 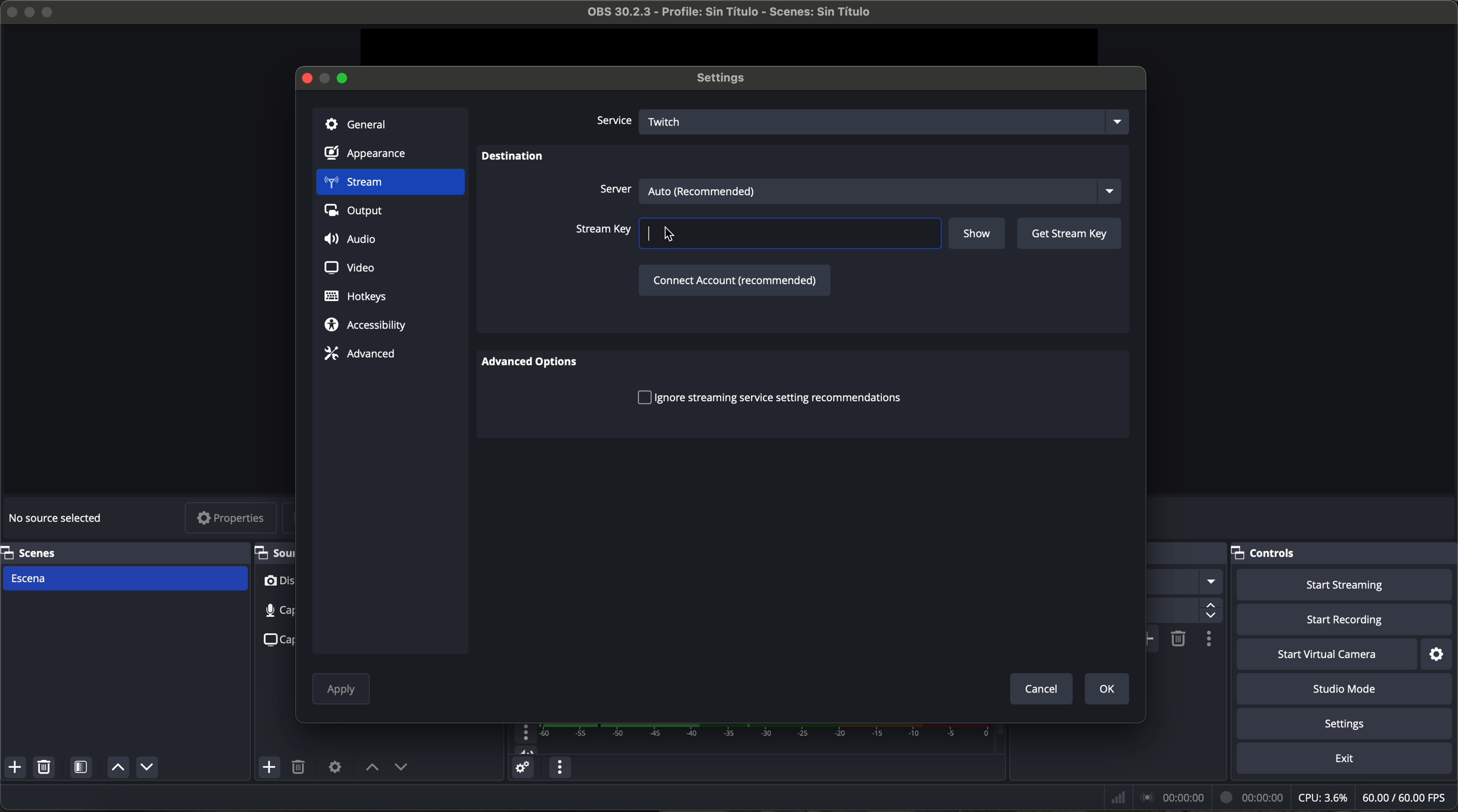 What do you see at coordinates (83, 769) in the screenshot?
I see `open scene filters` at bounding box center [83, 769].